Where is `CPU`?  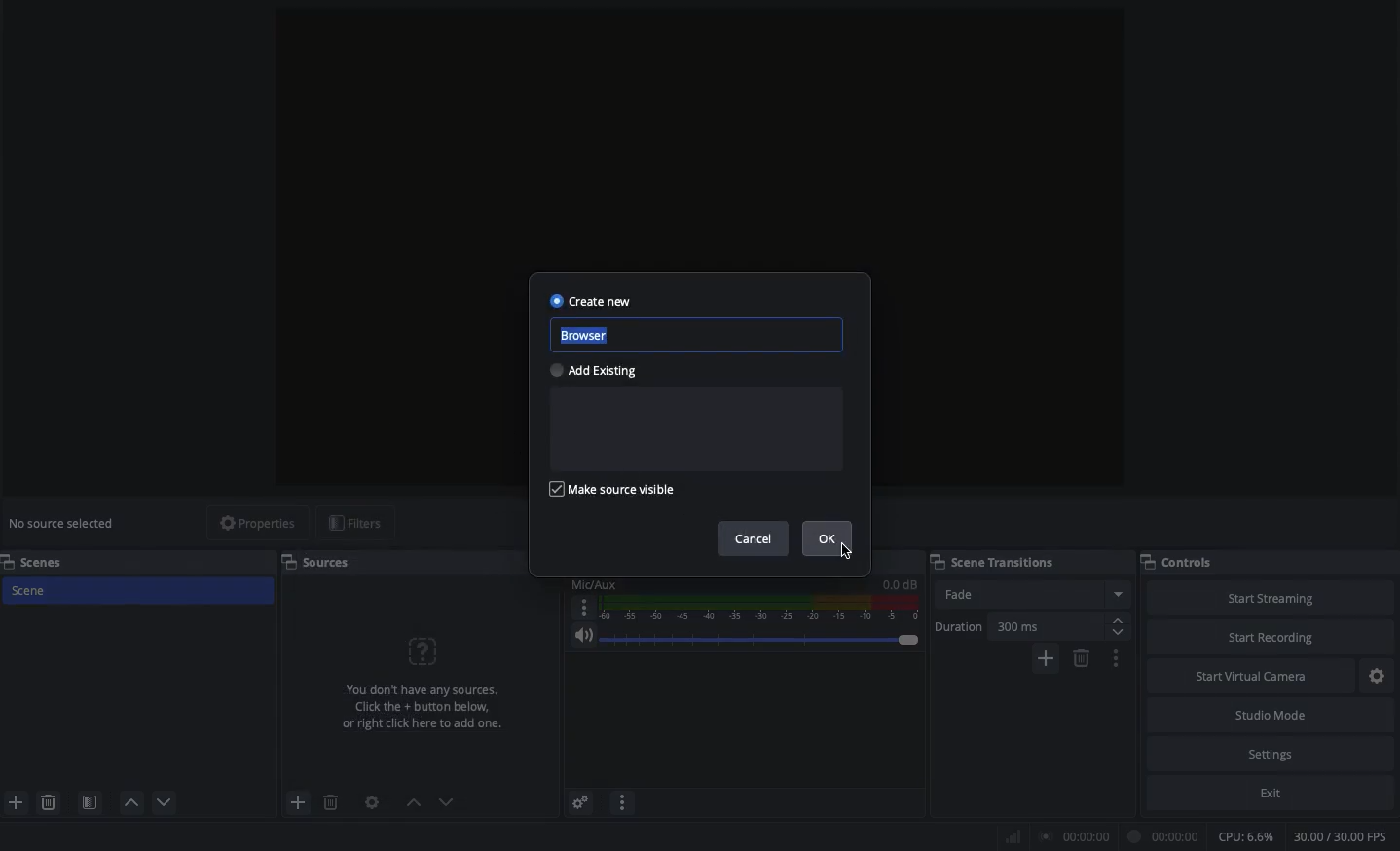
CPU is located at coordinates (1248, 836).